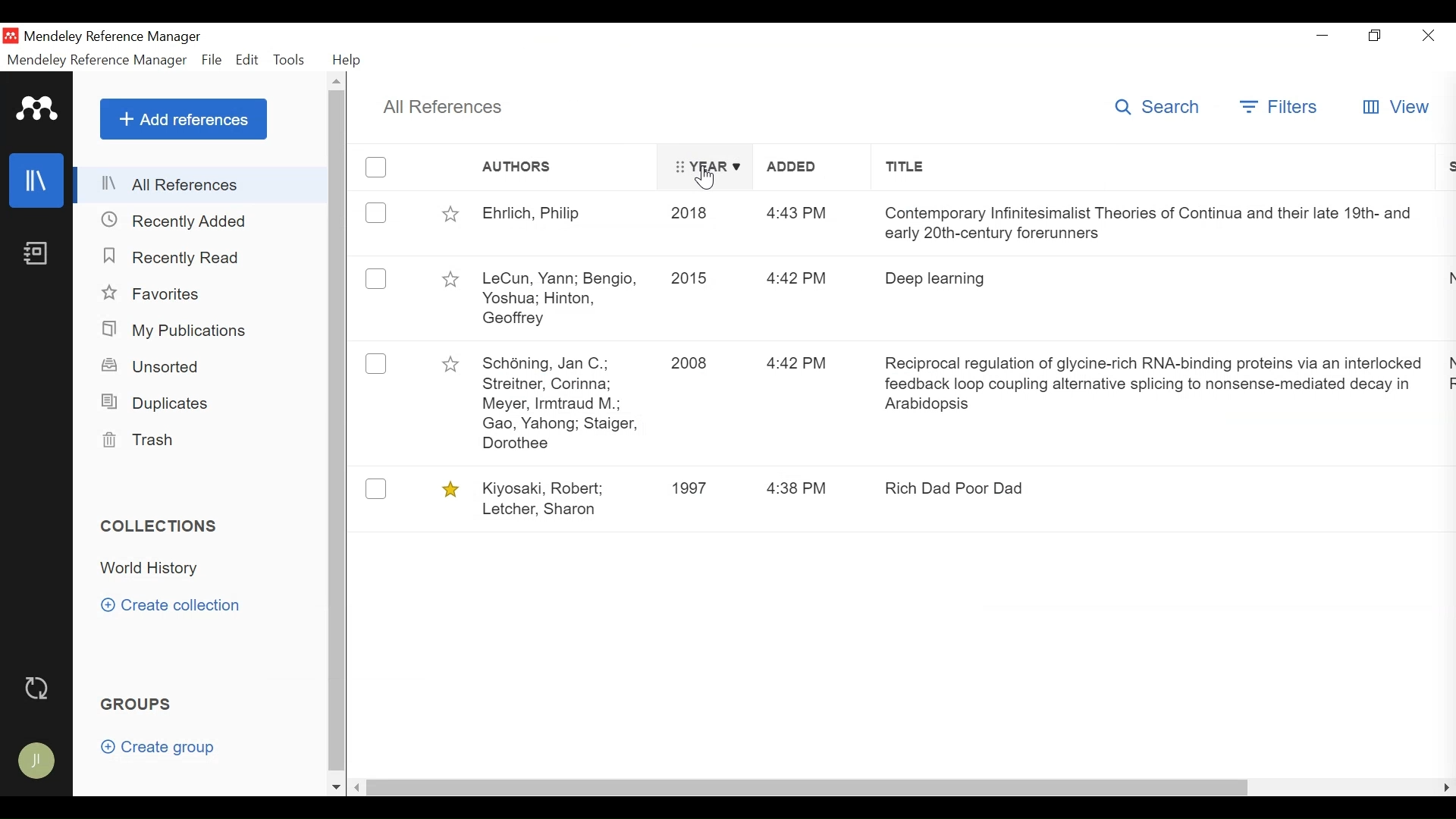 The height and width of the screenshot is (819, 1456). I want to click on Edit, so click(245, 60).